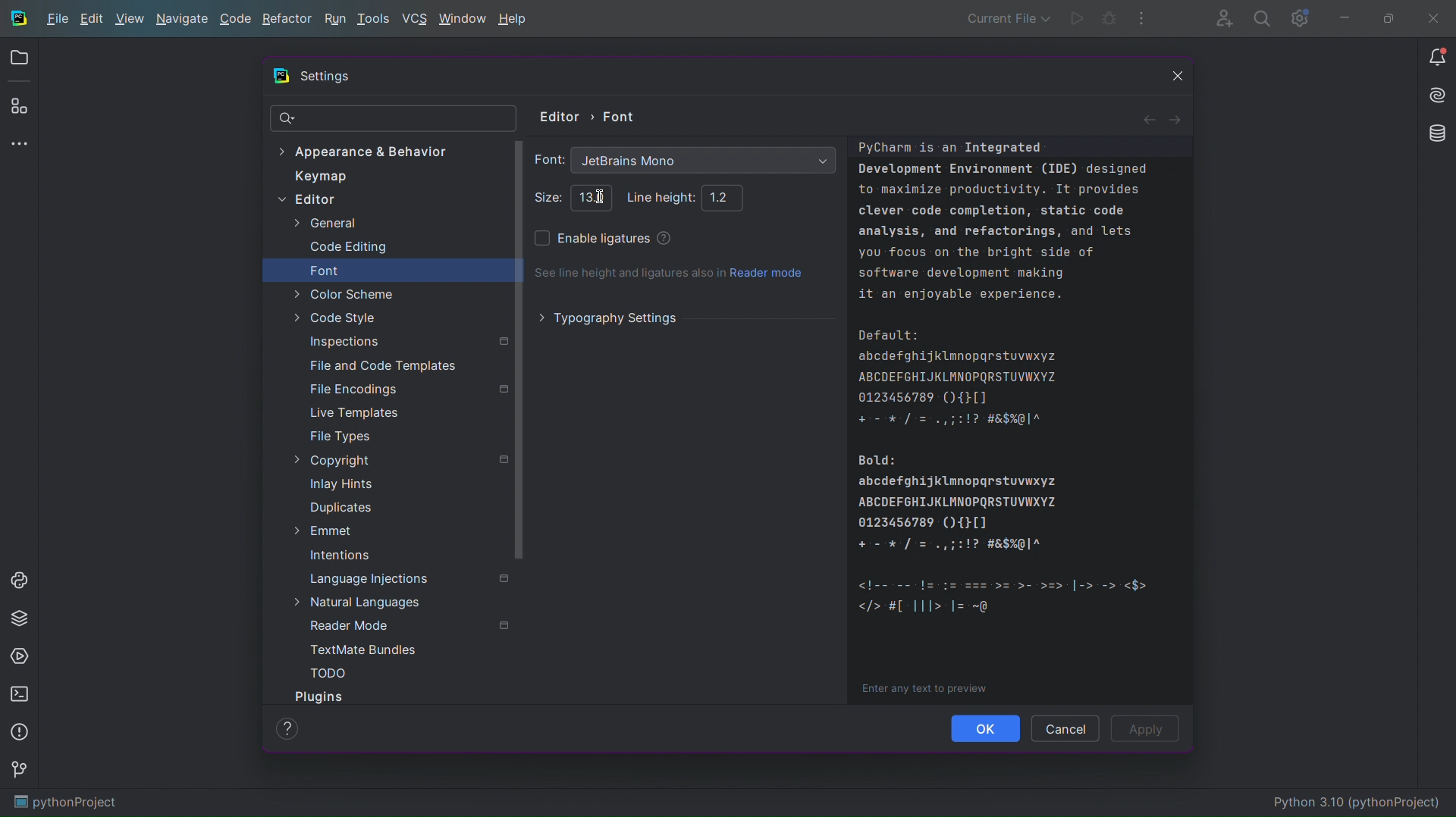 The width and height of the screenshot is (1456, 817). I want to click on Help, so click(513, 20).